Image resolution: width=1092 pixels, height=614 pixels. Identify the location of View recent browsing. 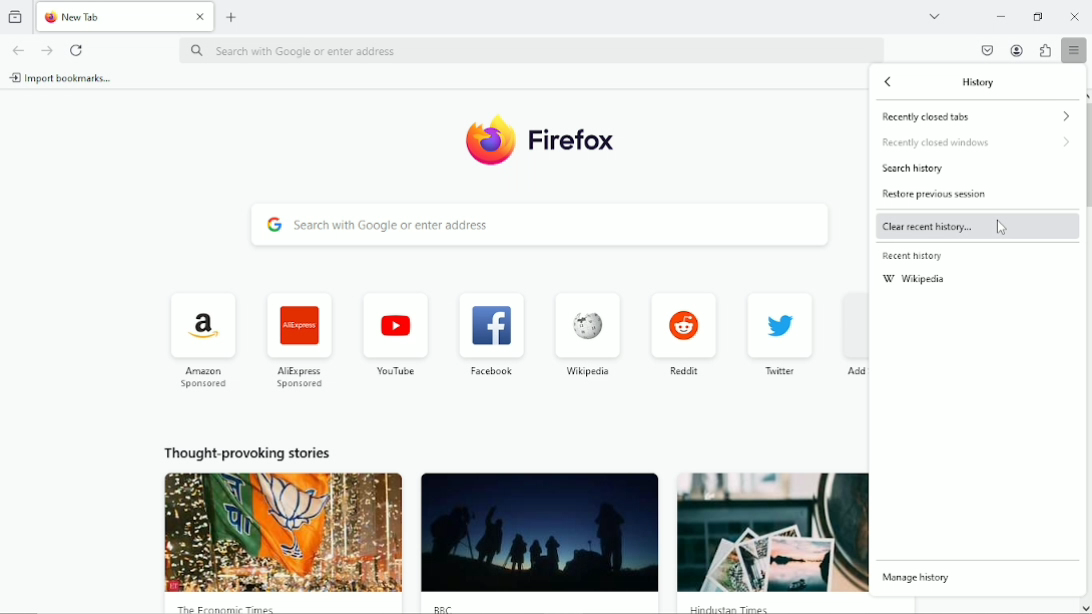
(14, 17).